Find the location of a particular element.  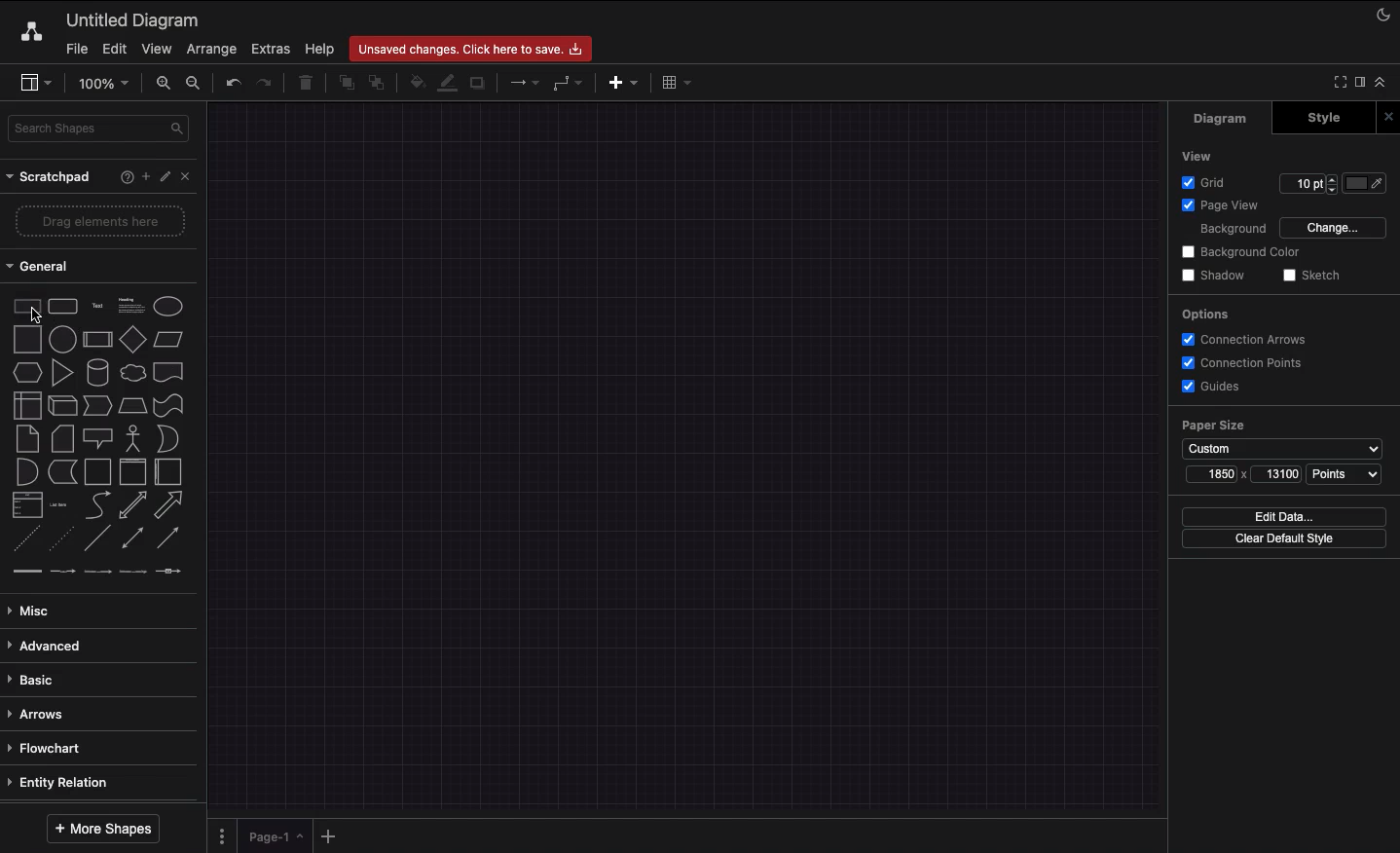

Diagram is located at coordinates (138, 18).